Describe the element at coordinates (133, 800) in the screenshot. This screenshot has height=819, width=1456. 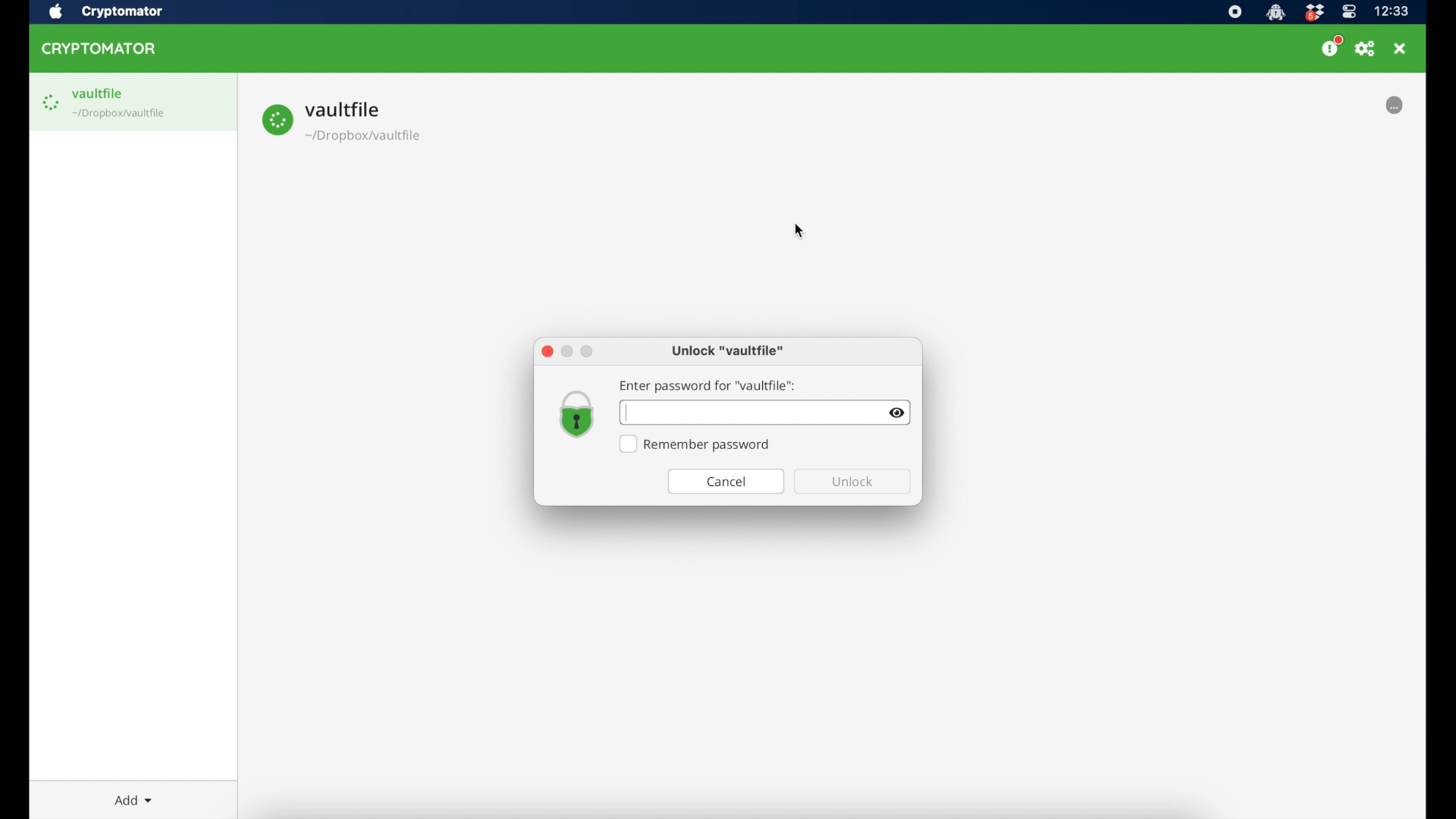
I see `add` at that location.